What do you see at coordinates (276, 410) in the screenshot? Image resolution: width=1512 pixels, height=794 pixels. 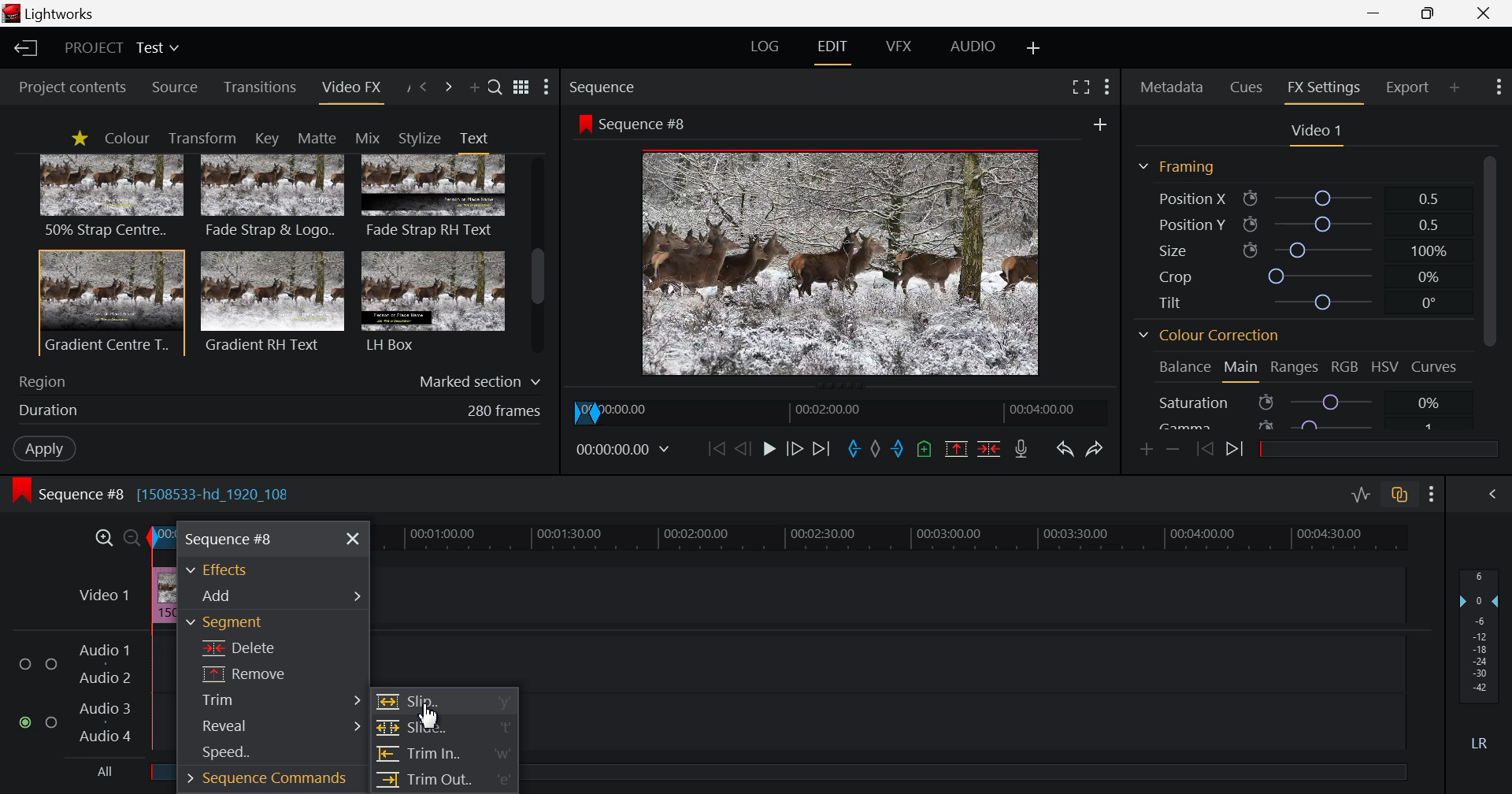 I see `Duration` at bounding box center [276, 410].